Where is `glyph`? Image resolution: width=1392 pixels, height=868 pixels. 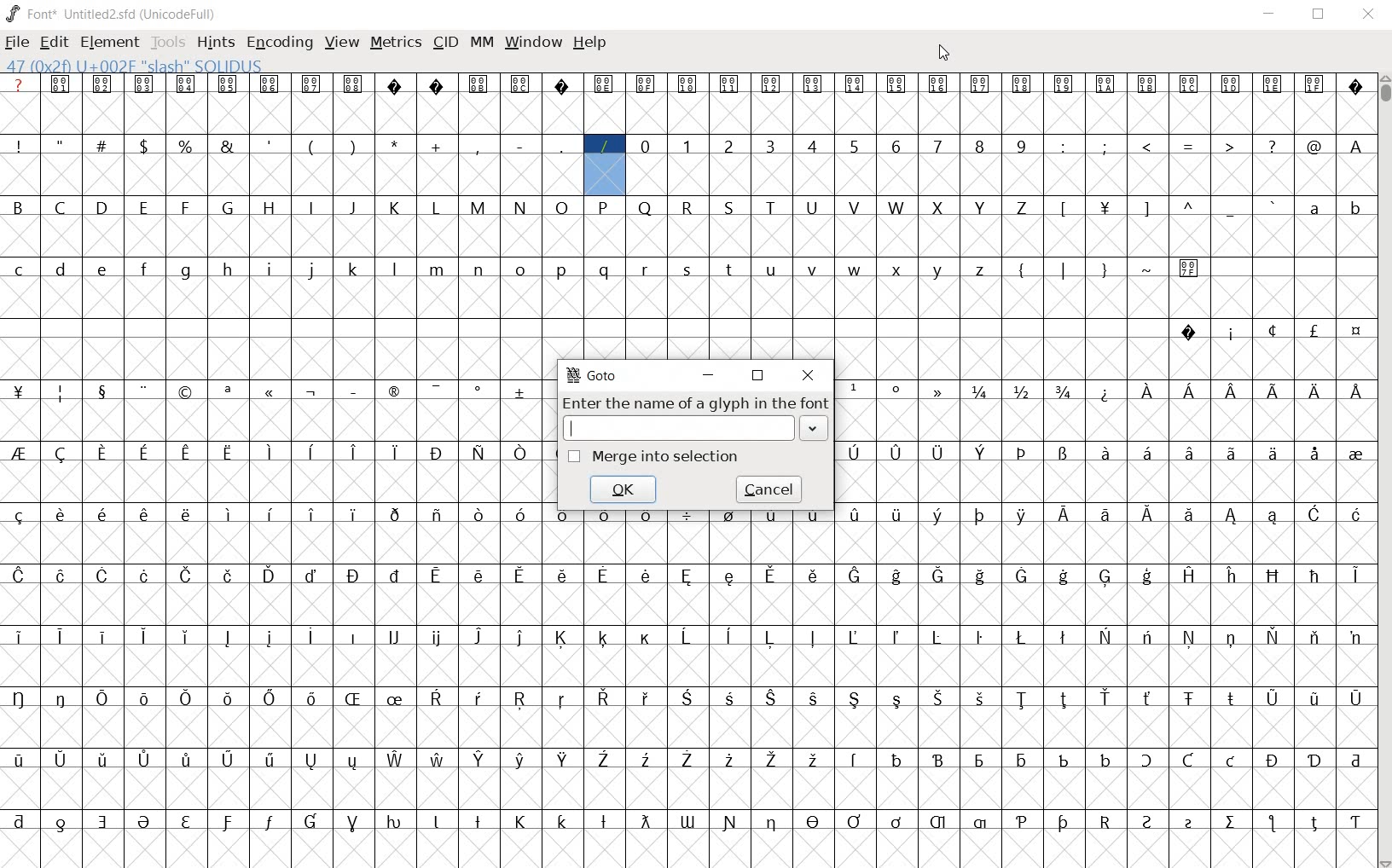
glyph is located at coordinates (61, 514).